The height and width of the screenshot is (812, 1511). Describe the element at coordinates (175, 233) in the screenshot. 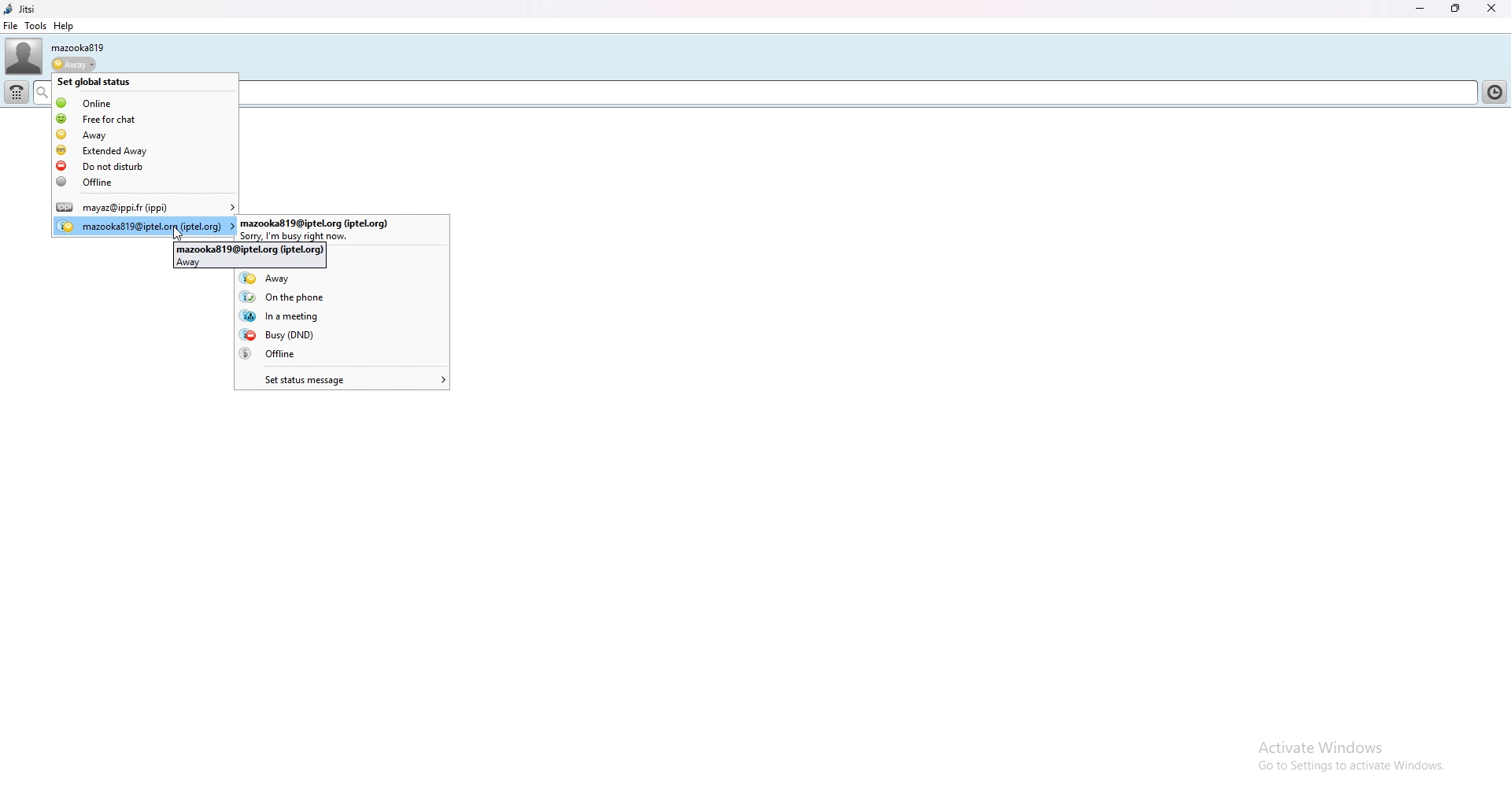

I see `cursor` at that location.